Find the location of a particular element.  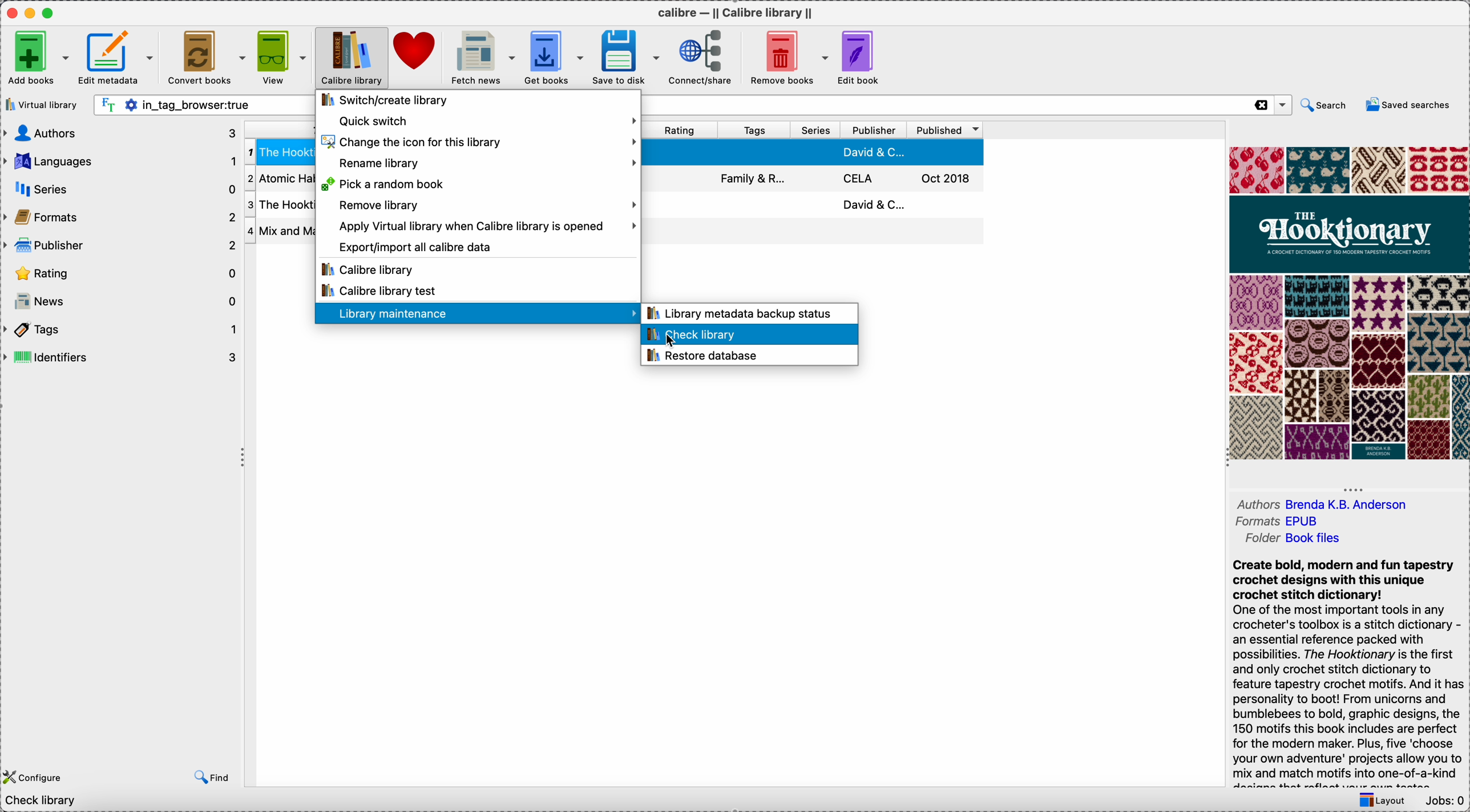

quick switch is located at coordinates (484, 122).